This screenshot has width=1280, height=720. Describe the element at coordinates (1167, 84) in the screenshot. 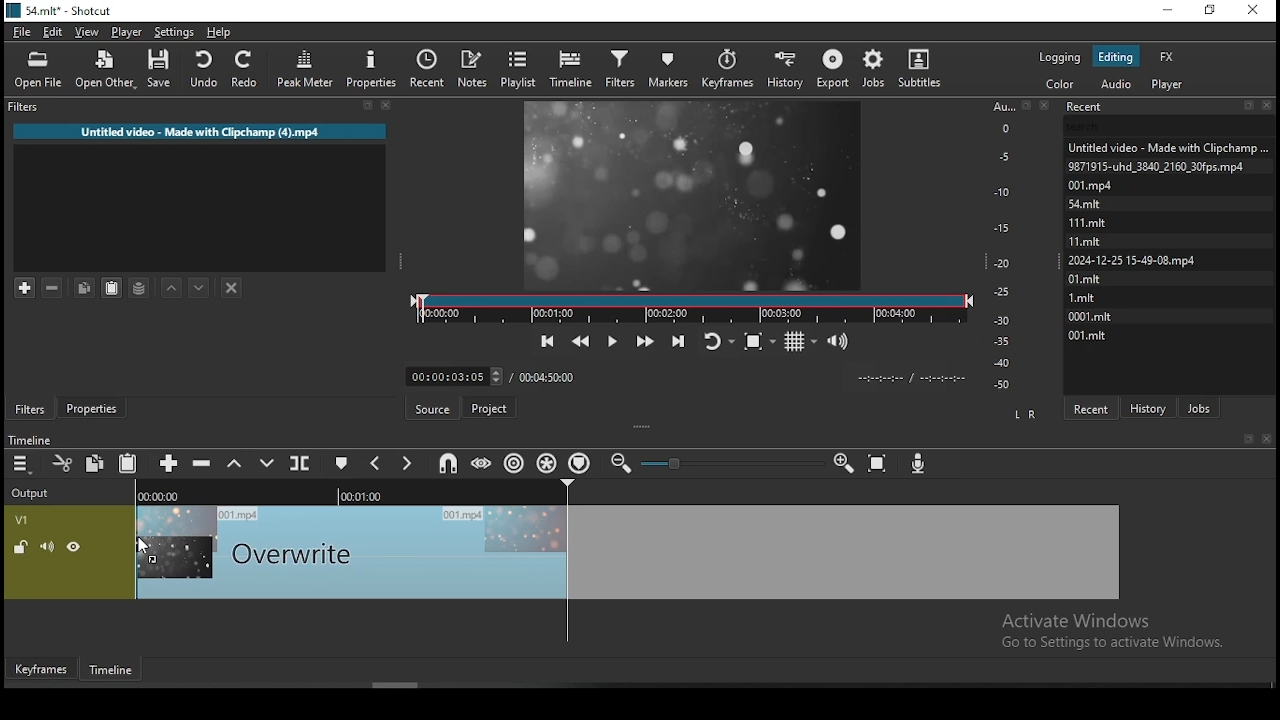

I see `player` at that location.